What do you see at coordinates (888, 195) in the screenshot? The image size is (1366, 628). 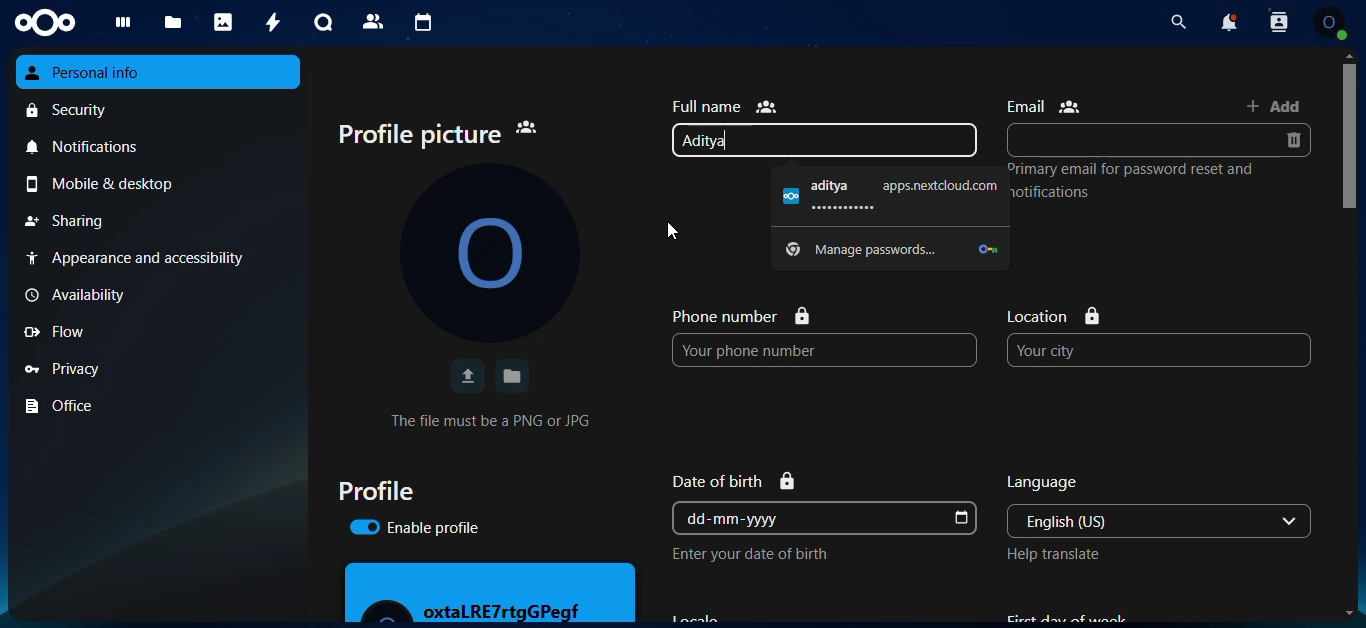 I see `aditya  appsnextdoud.com ............` at bounding box center [888, 195].